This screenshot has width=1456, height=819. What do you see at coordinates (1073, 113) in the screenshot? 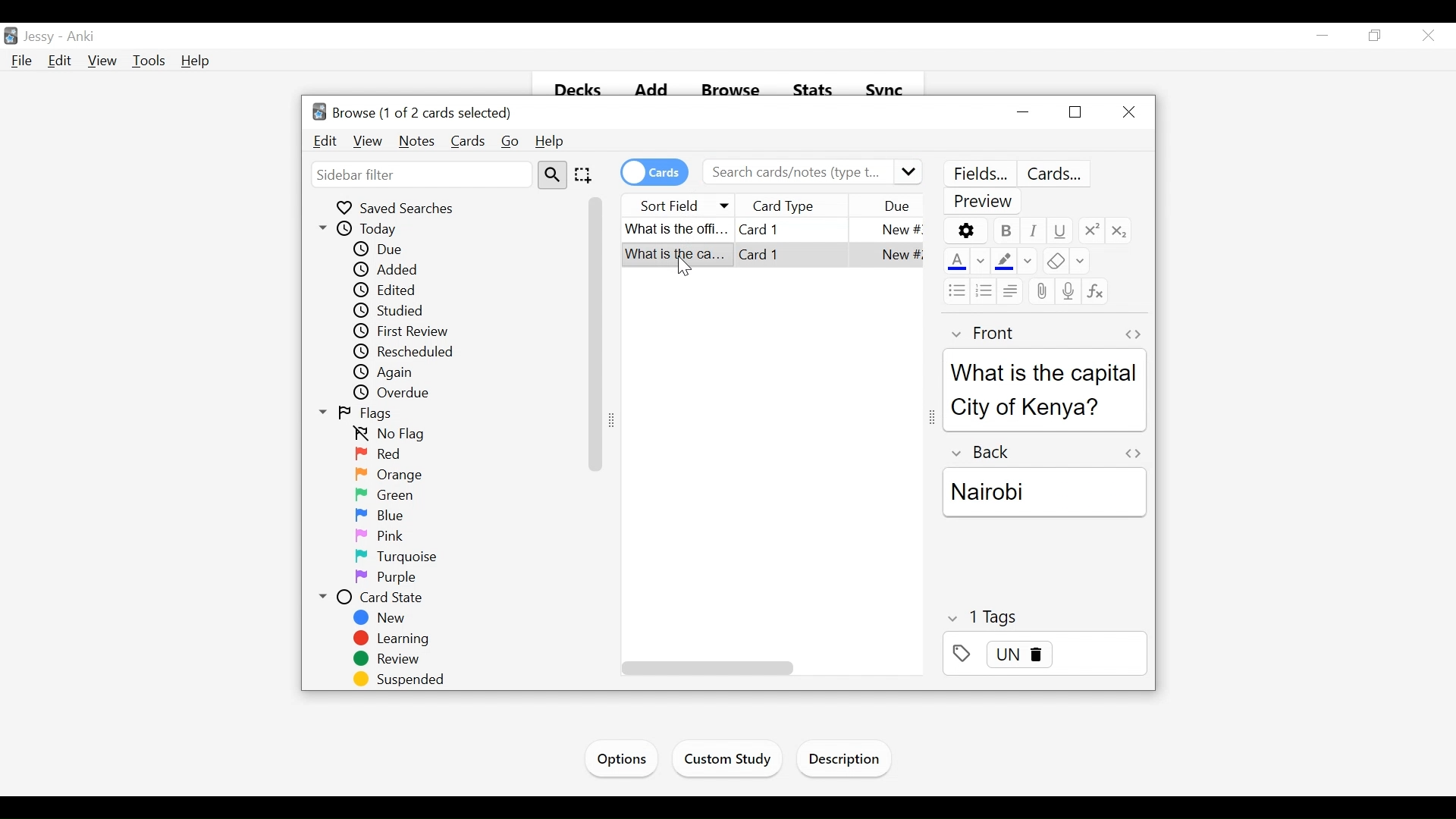
I see `Restore` at bounding box center [1073, 113].